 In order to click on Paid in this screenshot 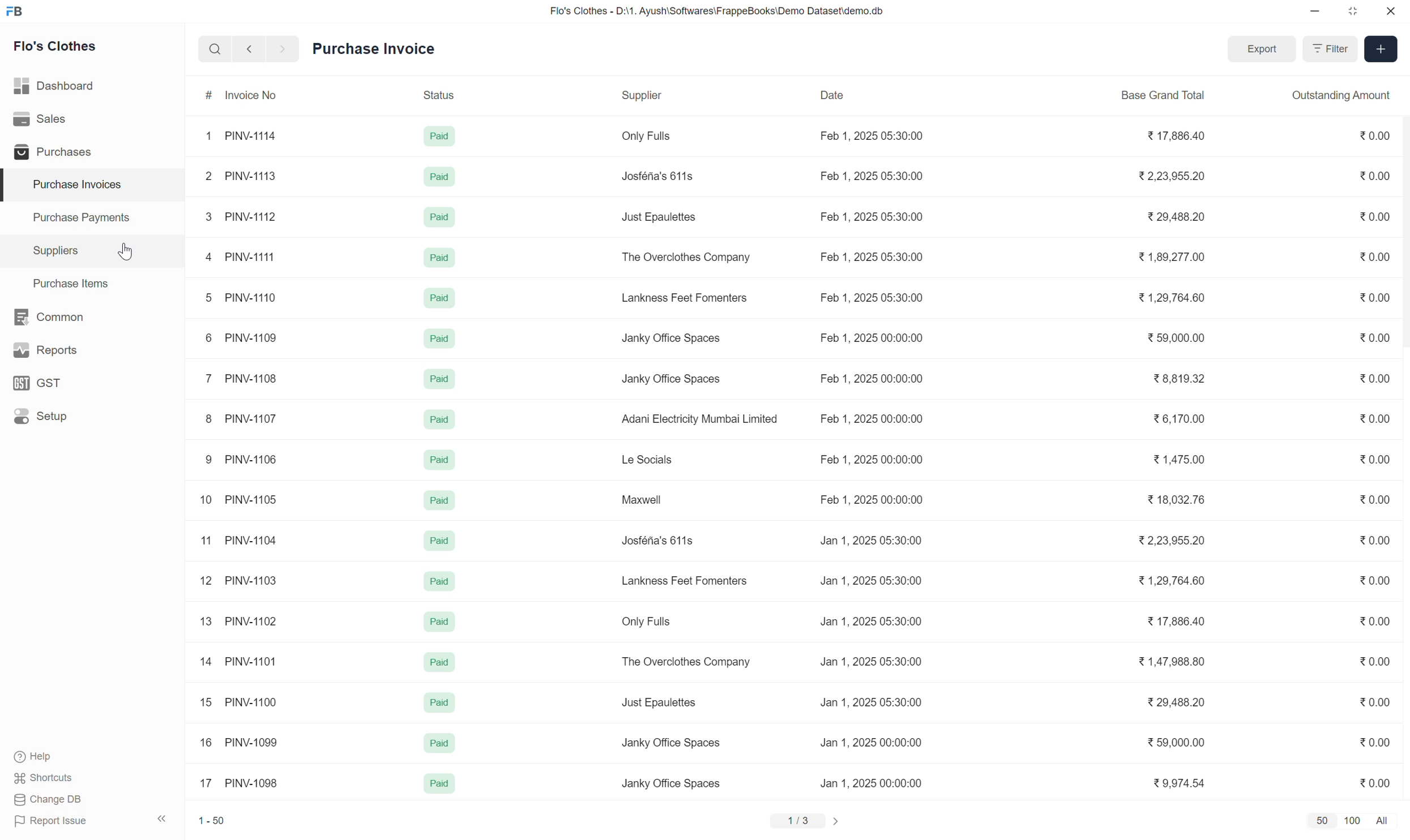, I will do `click(439, 298)`.